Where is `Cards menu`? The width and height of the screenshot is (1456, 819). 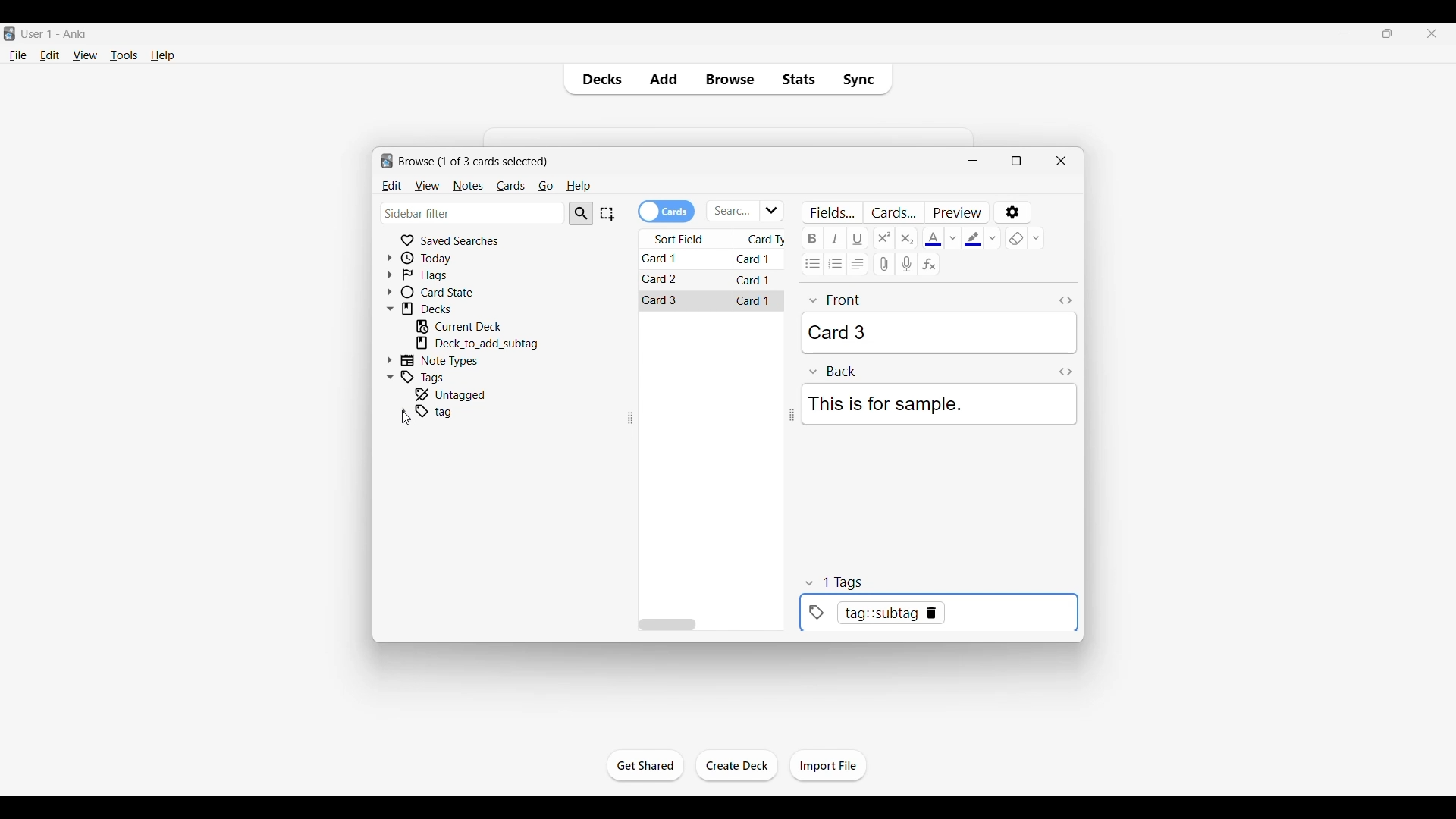
Cards menu is located at coordinates (510, 187).